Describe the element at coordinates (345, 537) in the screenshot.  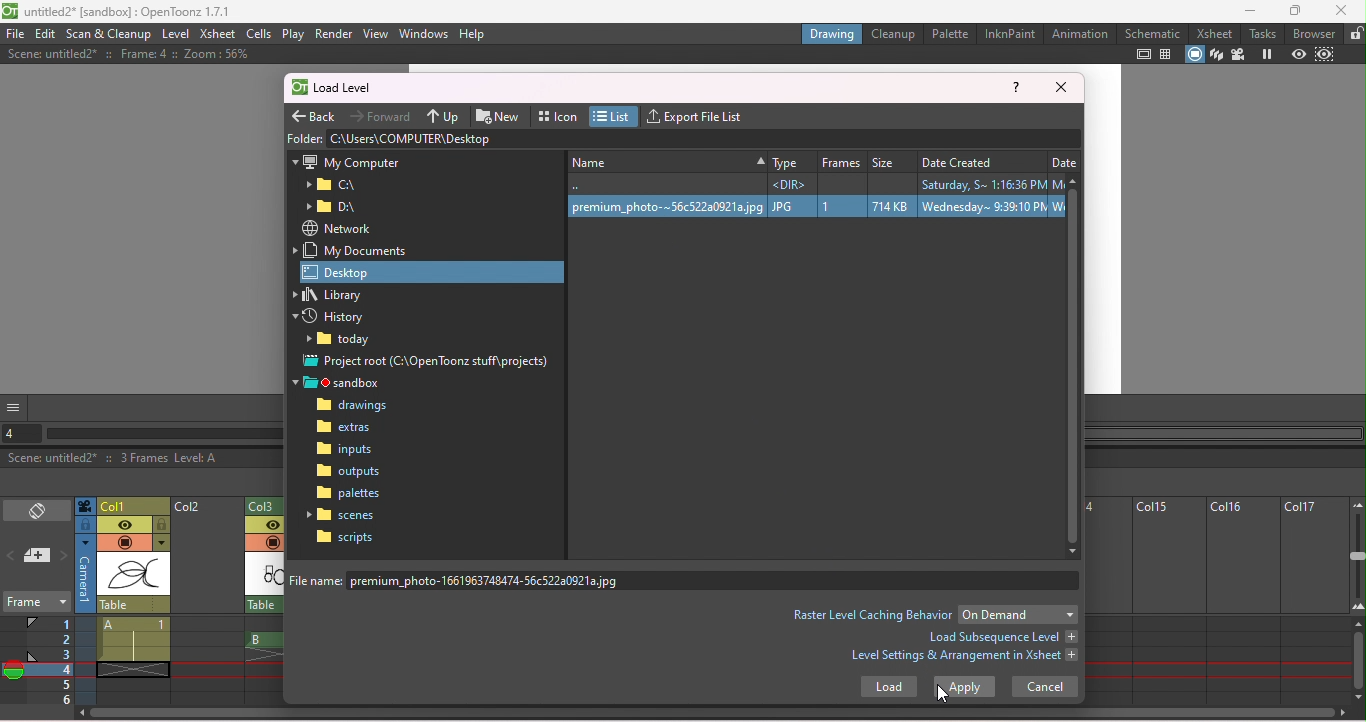
I see `Scripts ` at that location.